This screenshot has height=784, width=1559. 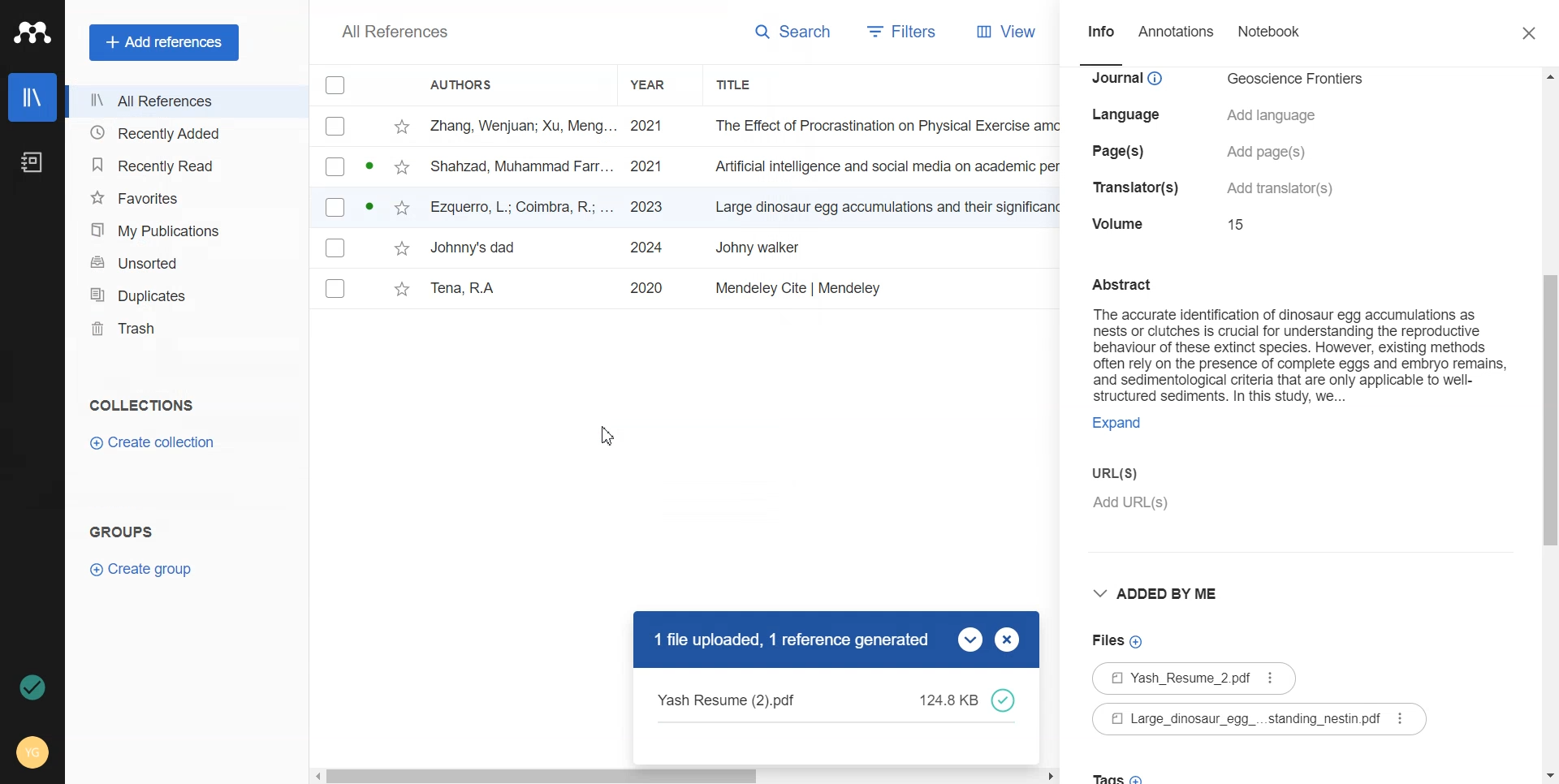 What do you see at coordinates (1294, 510) in the screenshot?
I see `Add URL` at bounding box center [1294, 510].